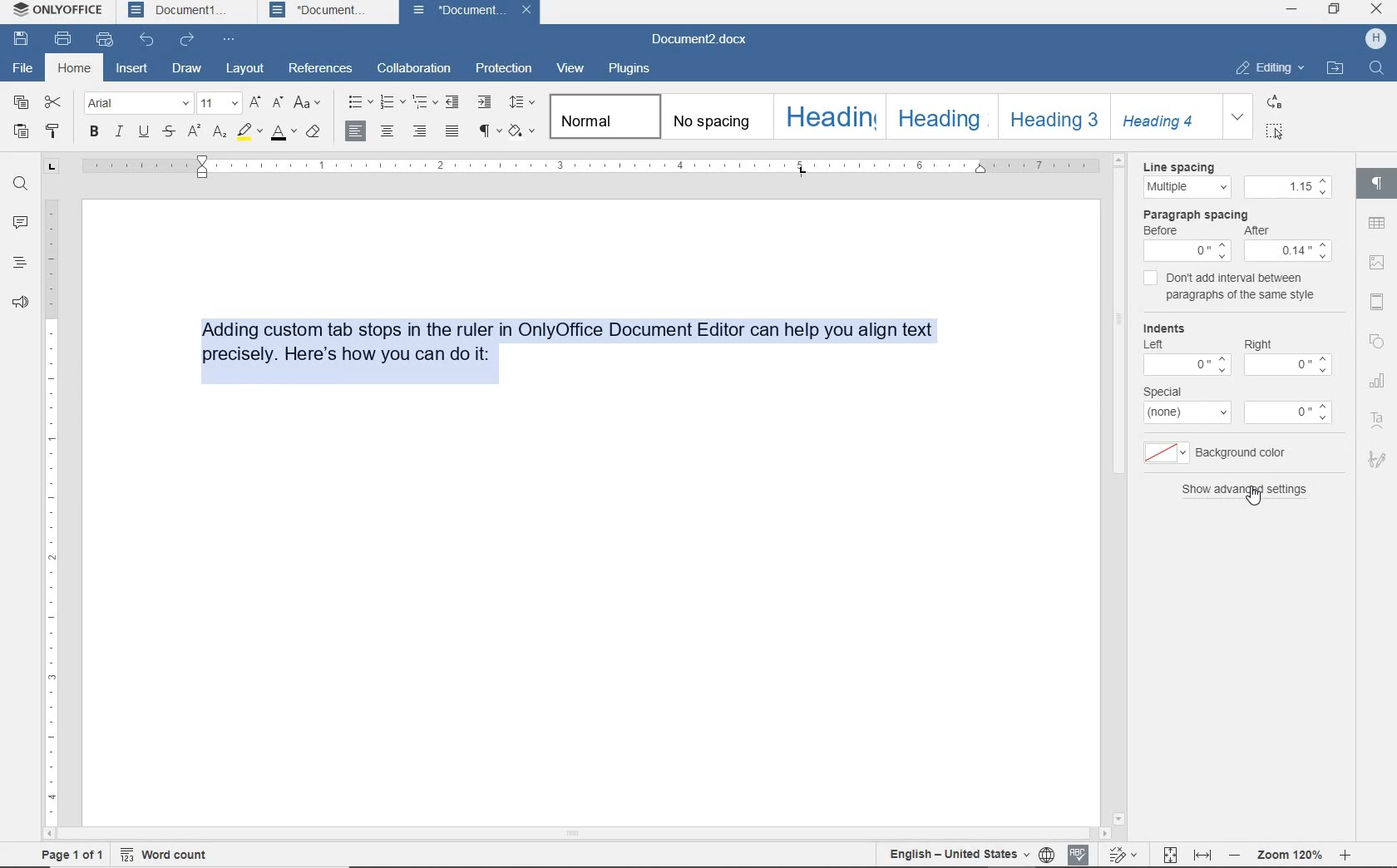 The image size is (1397, 868). I want to click on nonprinting characters, so click(488, 133).